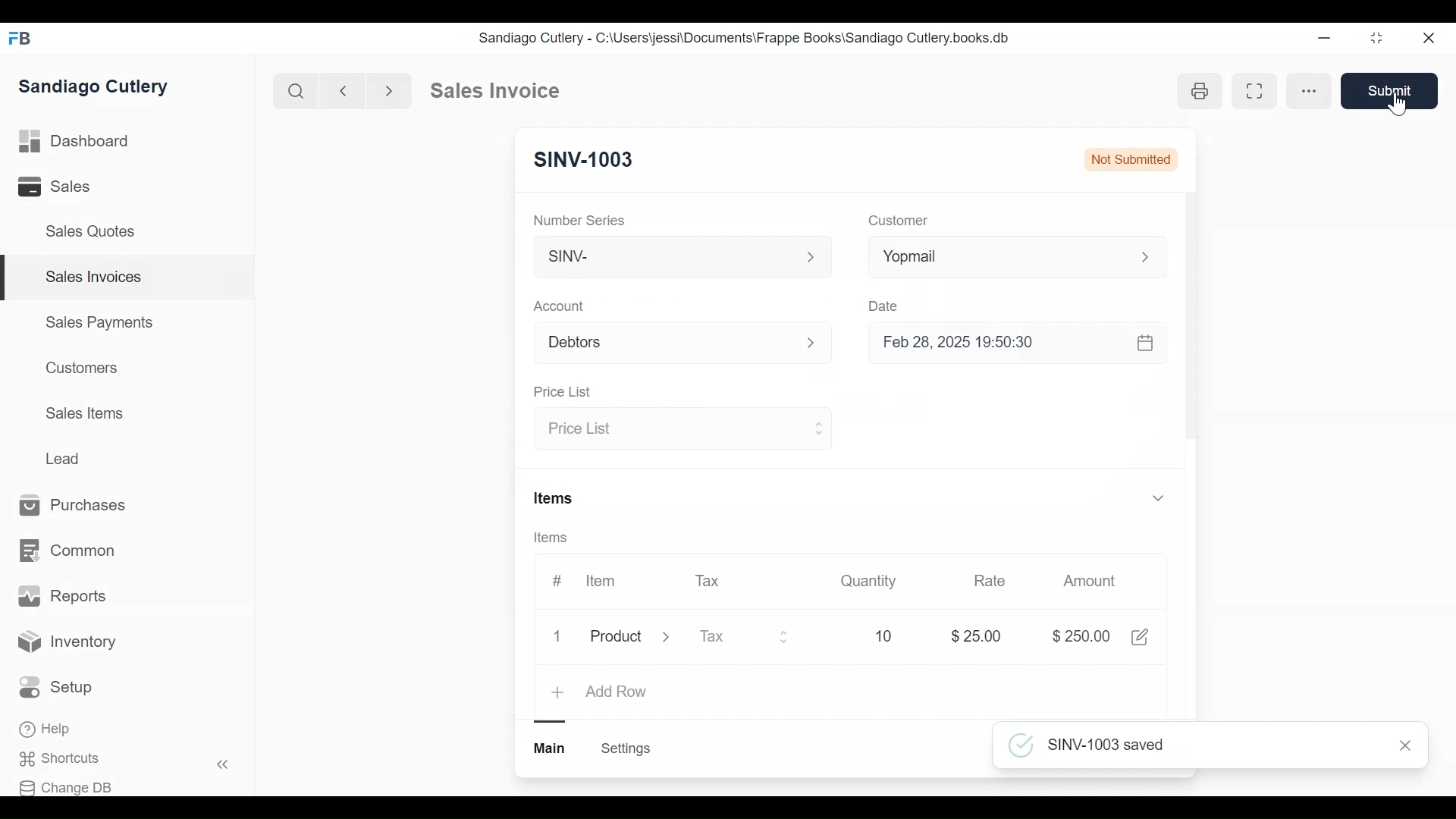 The height and width of the screenshot is (819, 1456). I want to click on not submited, so click(1128, 158).